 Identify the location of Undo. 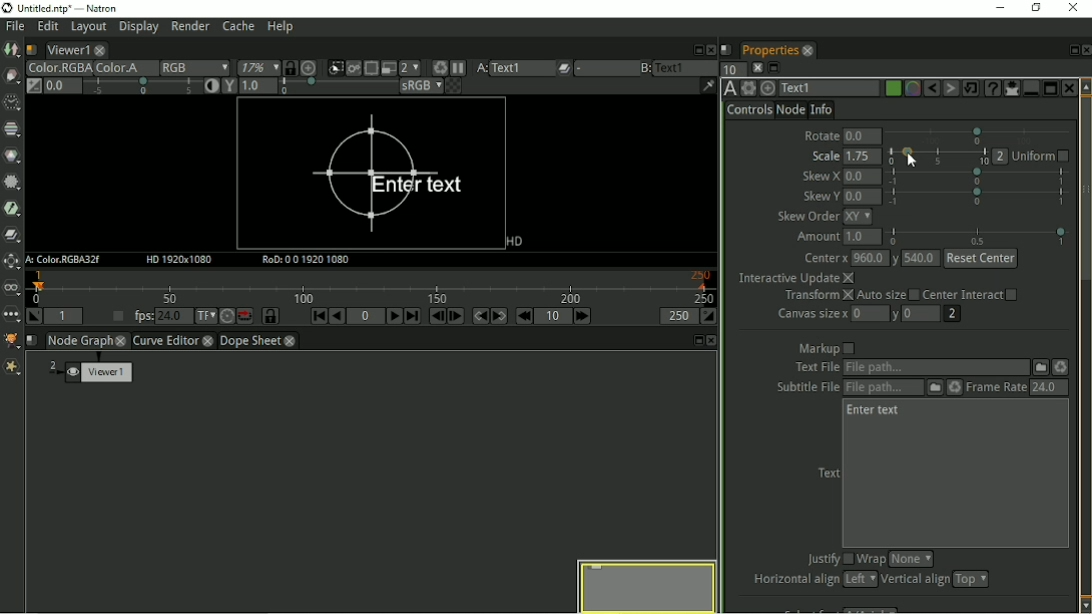
(930, 89).